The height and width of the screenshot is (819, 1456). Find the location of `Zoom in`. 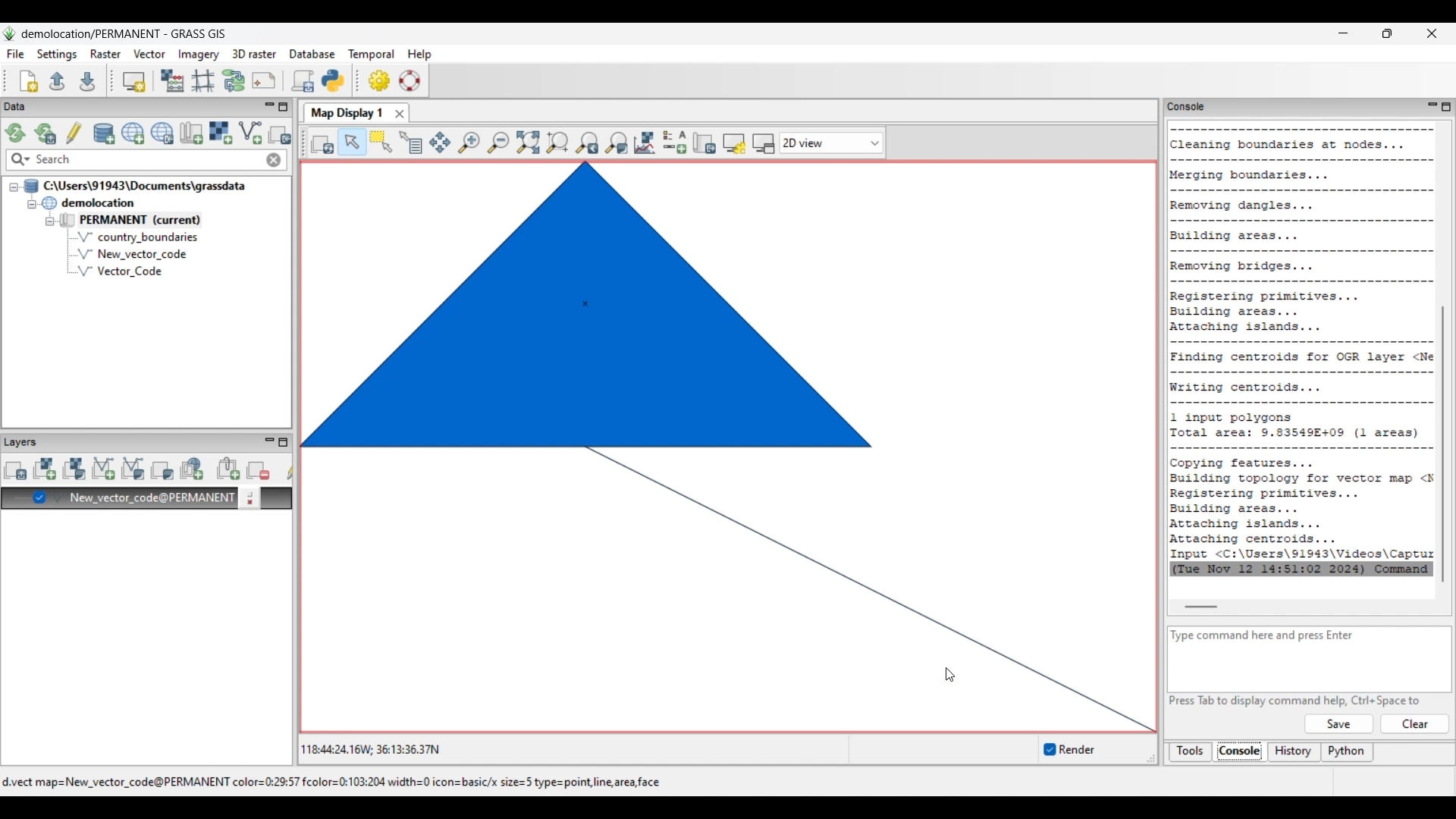

Zoom in is located at coordinates (469, 143).